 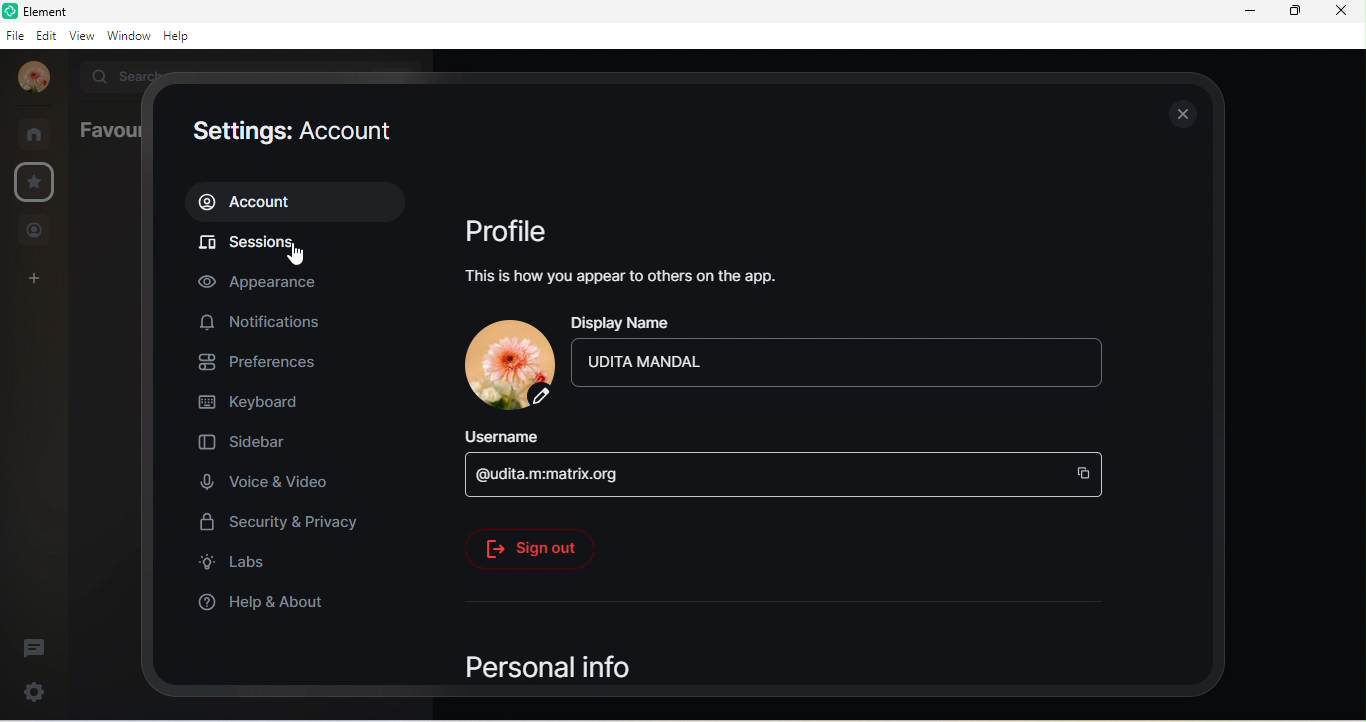 What do you see at coordinates (508, 365) in the screenshot?
I see `display image` at bounding box center [508, 365].